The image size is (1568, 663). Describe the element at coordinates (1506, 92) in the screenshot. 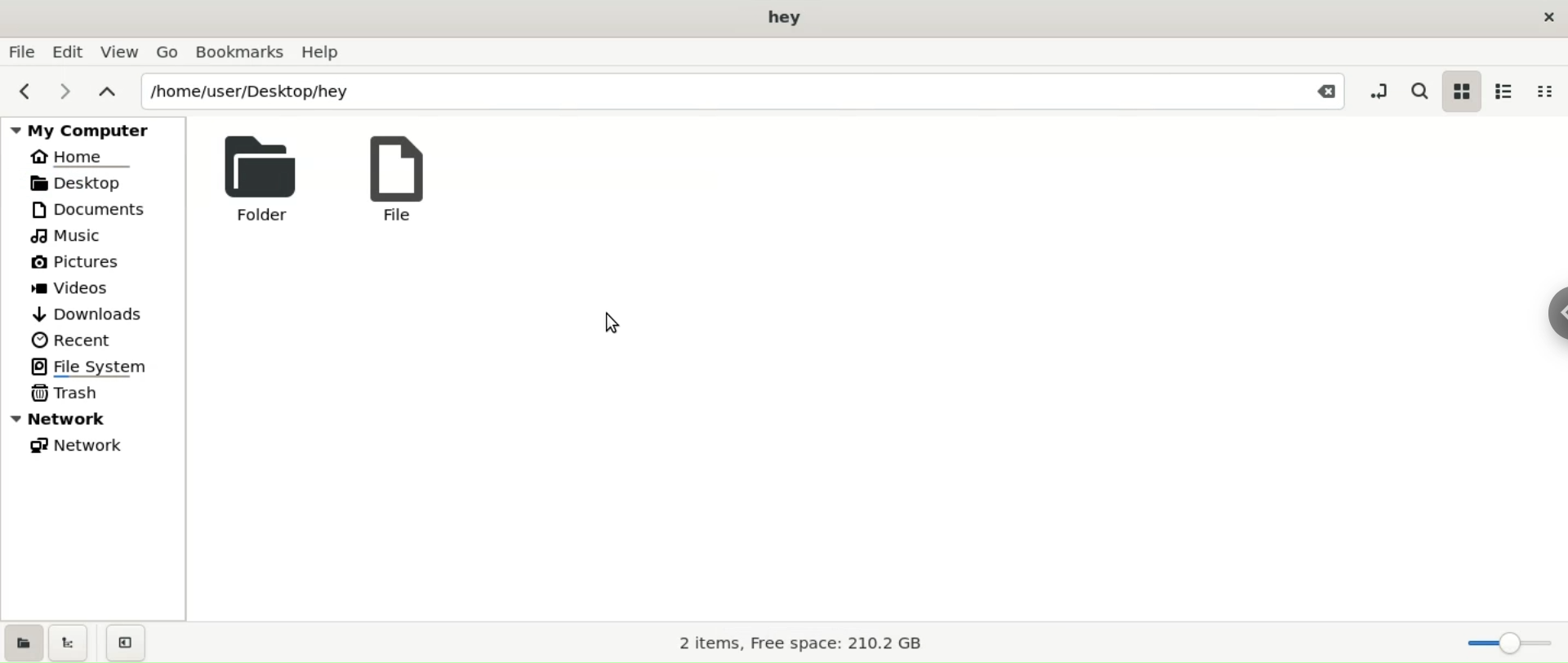

I see `list view` at that location.